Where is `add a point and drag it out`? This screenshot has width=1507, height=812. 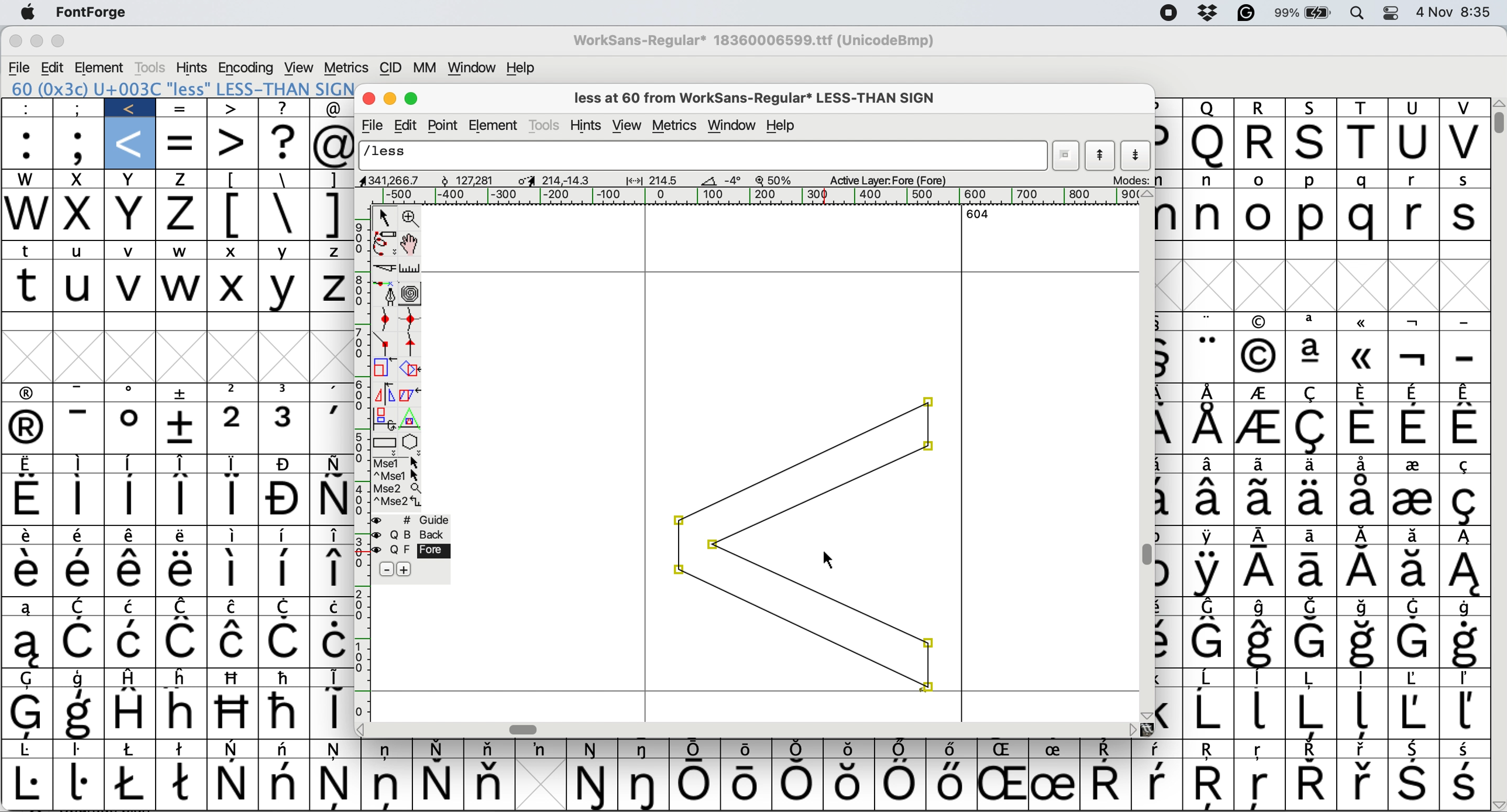
add a point and drag it out is located at coordinates (387, 294).